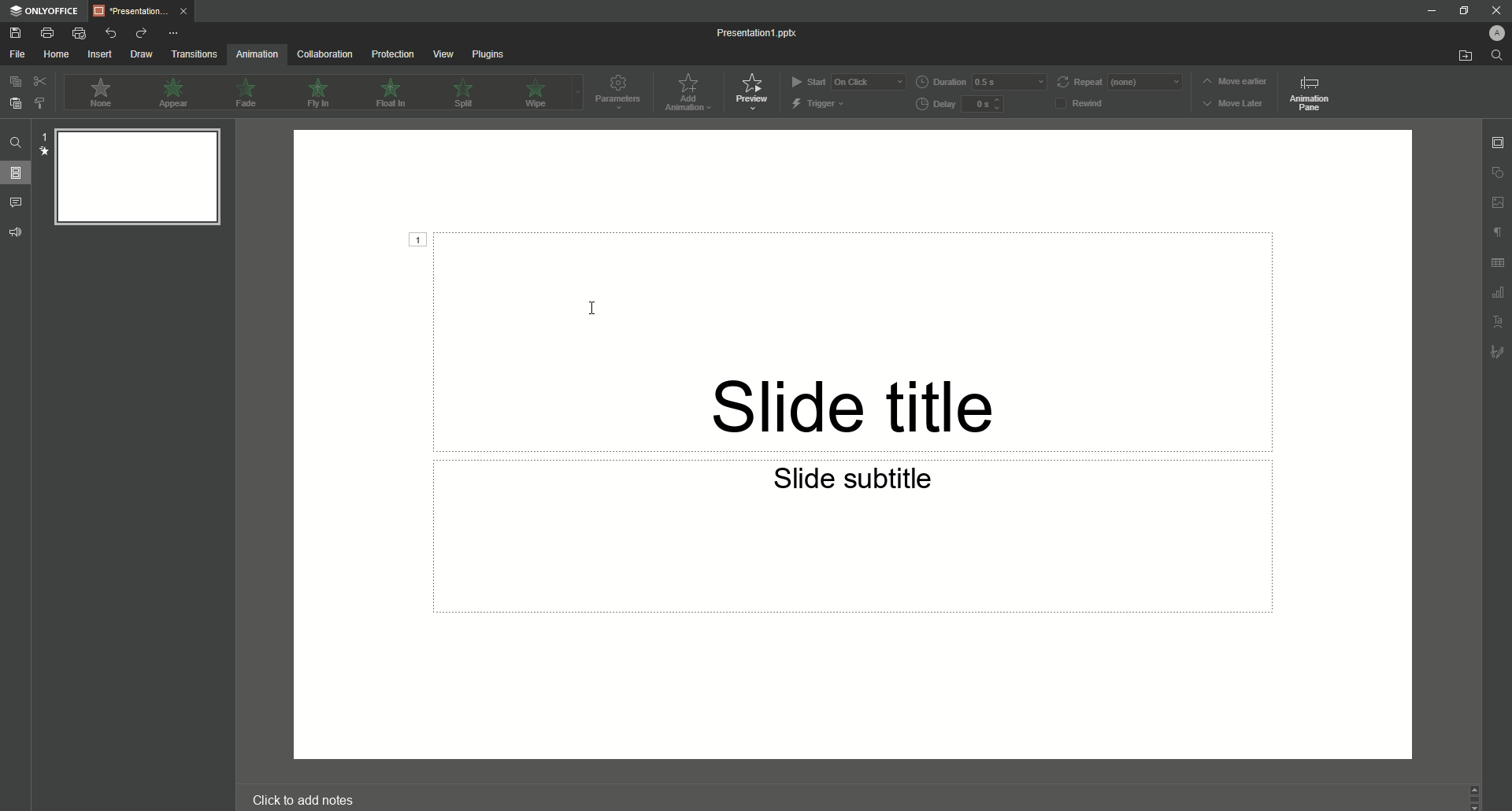  Describe the element at coordinates (1307, 92) in the screenshot. I see `Animation pane` at that location.